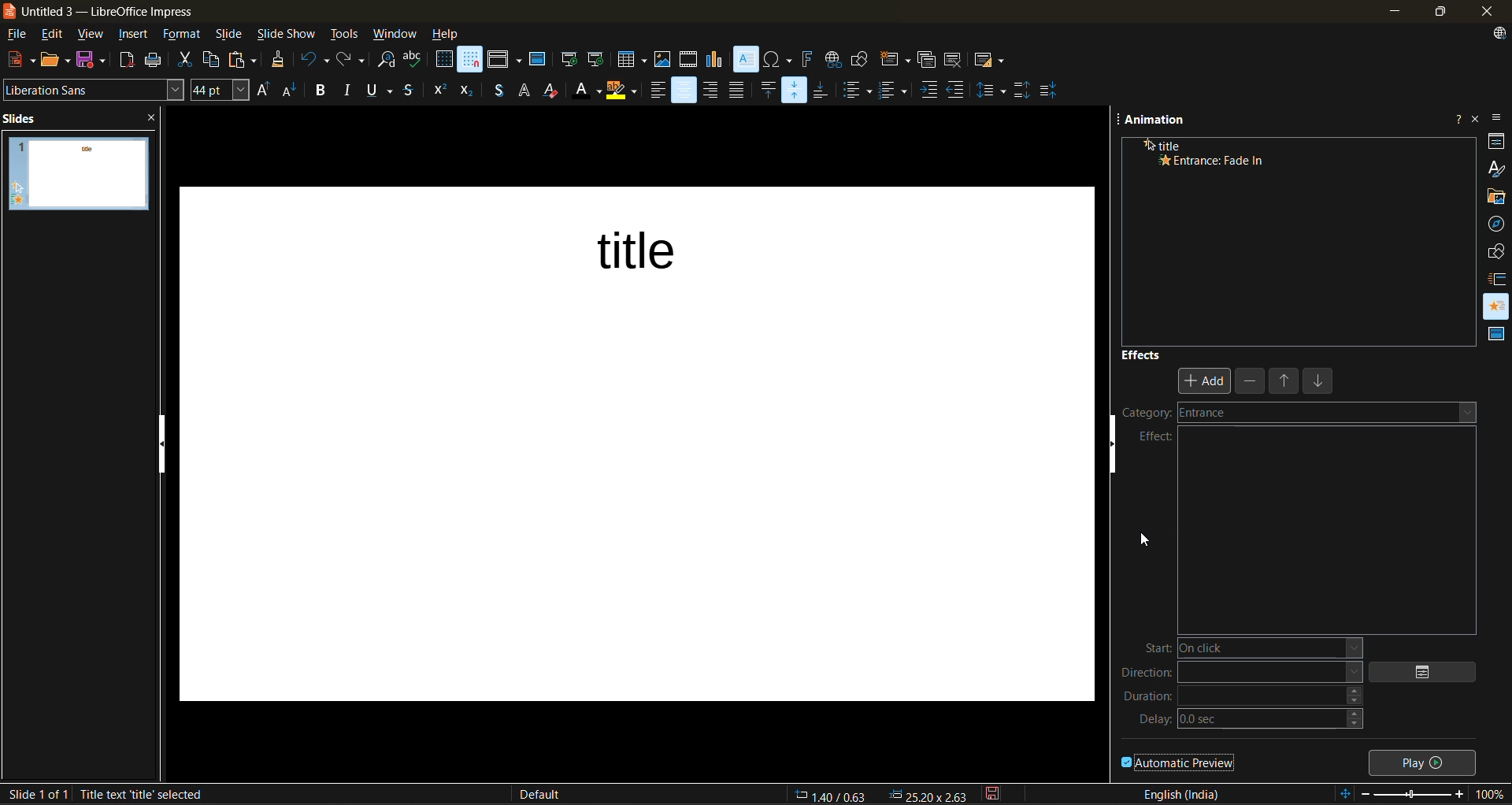 This screenshot has height=805, width=1512. What do you see at coordinates (322, 91) in the screenshot?
I see `bold` at bounding box center [322, 91].